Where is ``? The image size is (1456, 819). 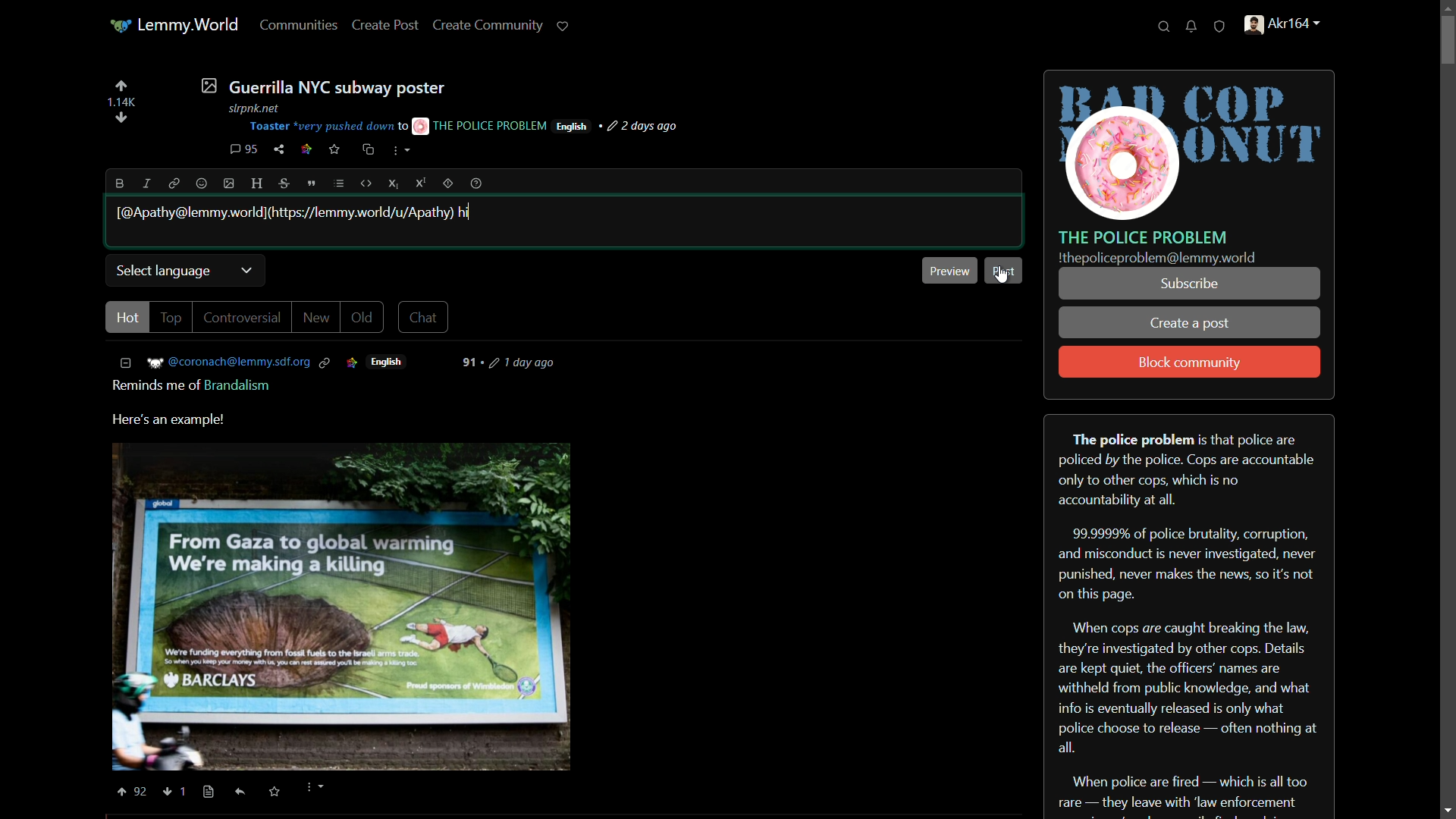
 is located at coordinates (241, 792).